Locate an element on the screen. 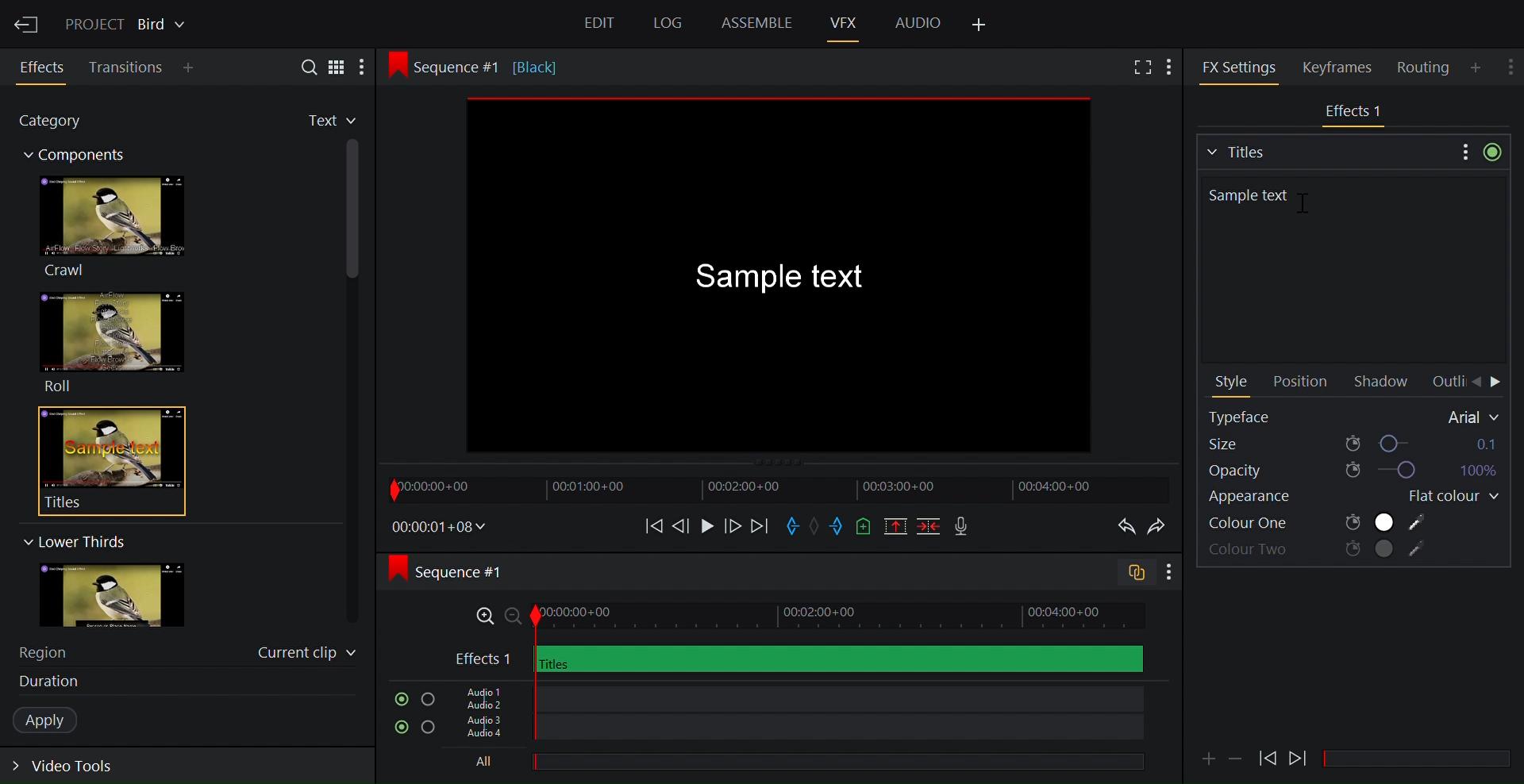  Attachment is located at coordinates (1208, 759).